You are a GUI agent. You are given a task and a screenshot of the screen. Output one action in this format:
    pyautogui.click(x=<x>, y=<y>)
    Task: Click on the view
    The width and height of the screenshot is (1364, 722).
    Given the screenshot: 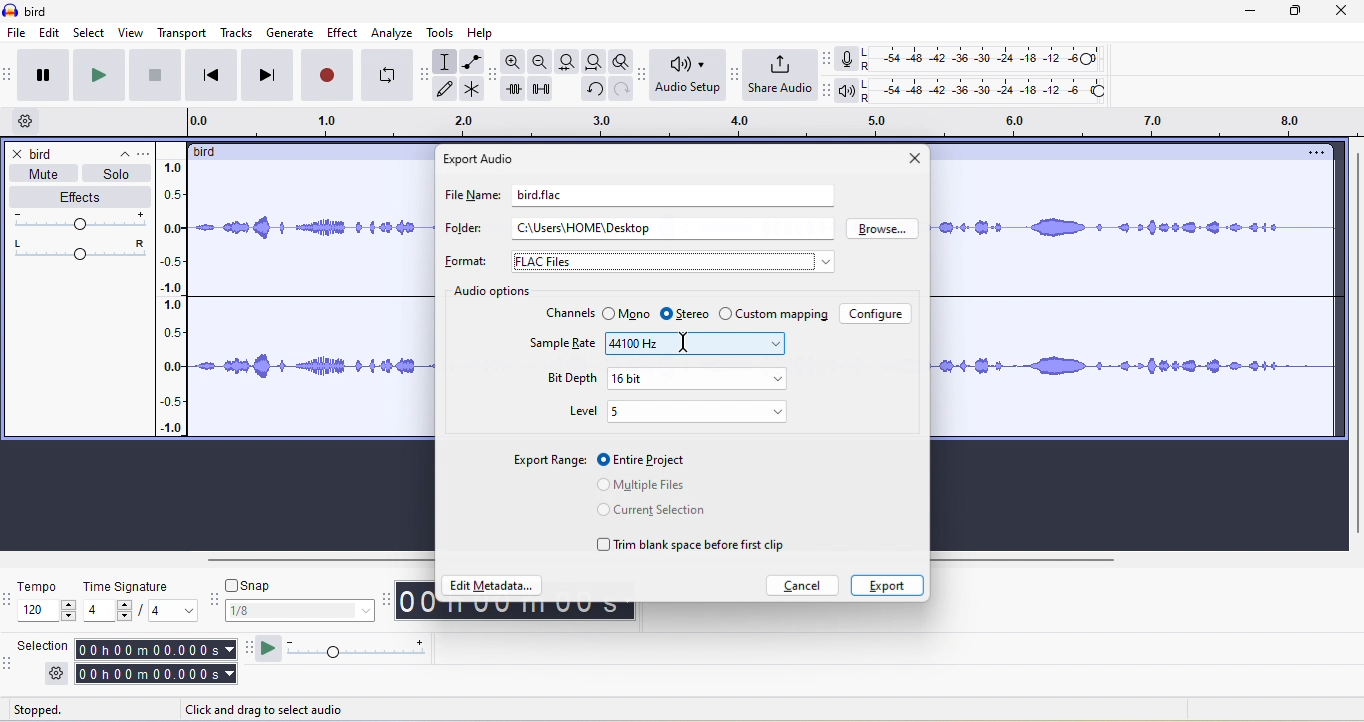 What is the action you would take?
    pyautogui.click(x=131, y=33)
    